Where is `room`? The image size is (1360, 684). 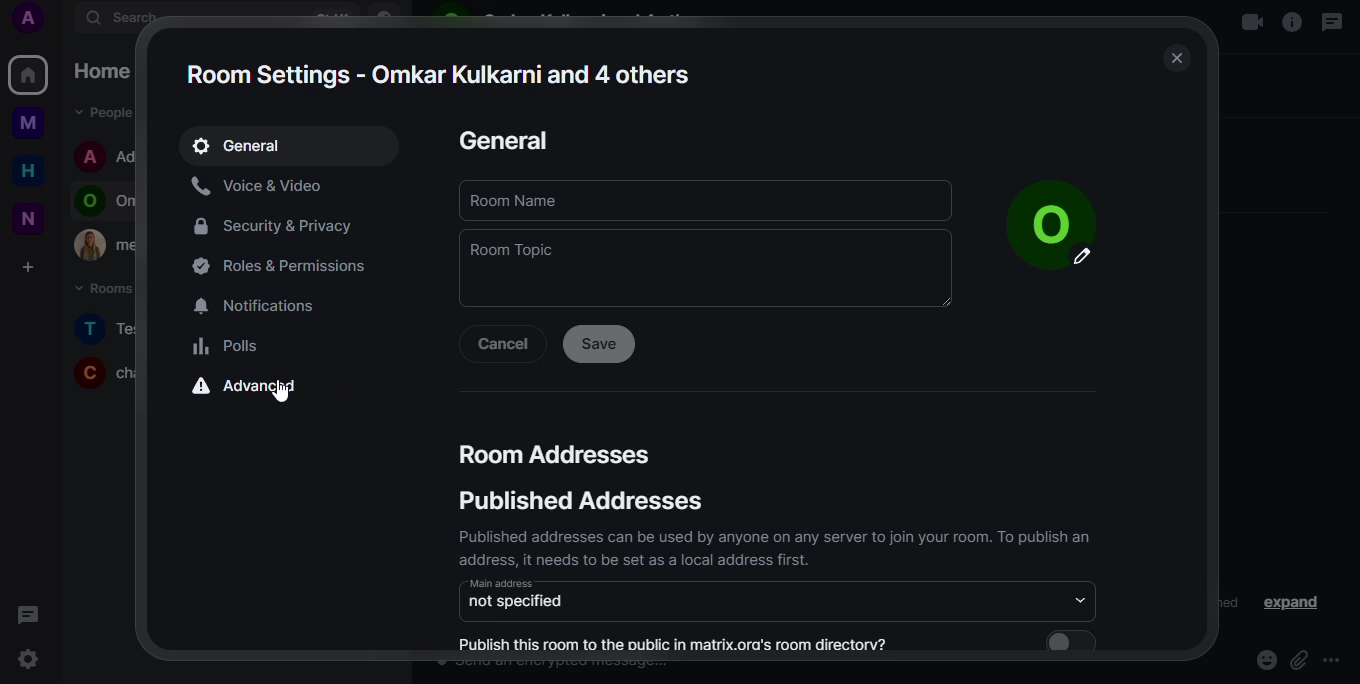 room is located at coordinates (101, 371).